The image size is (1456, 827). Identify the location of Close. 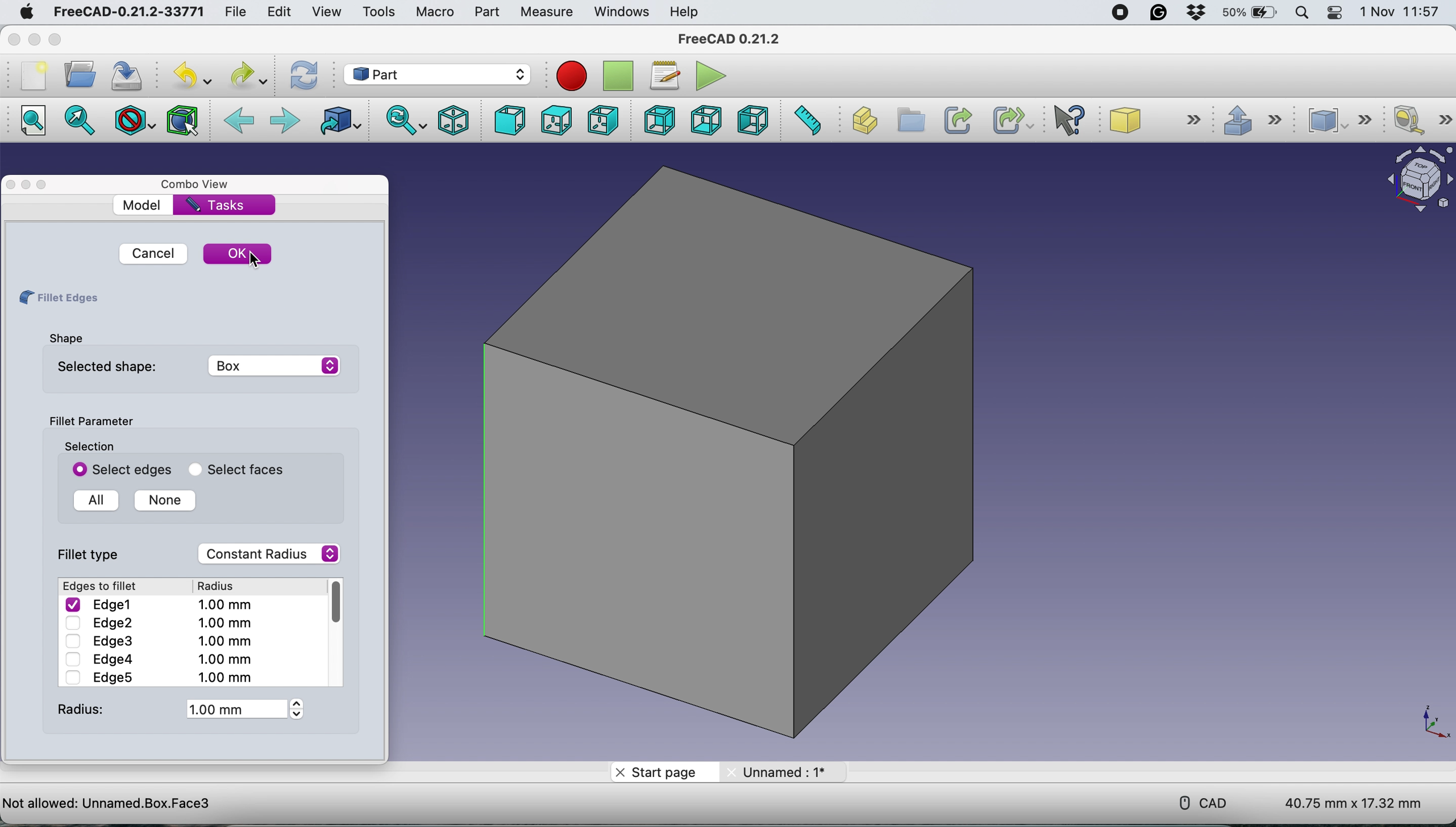
(13, 185).